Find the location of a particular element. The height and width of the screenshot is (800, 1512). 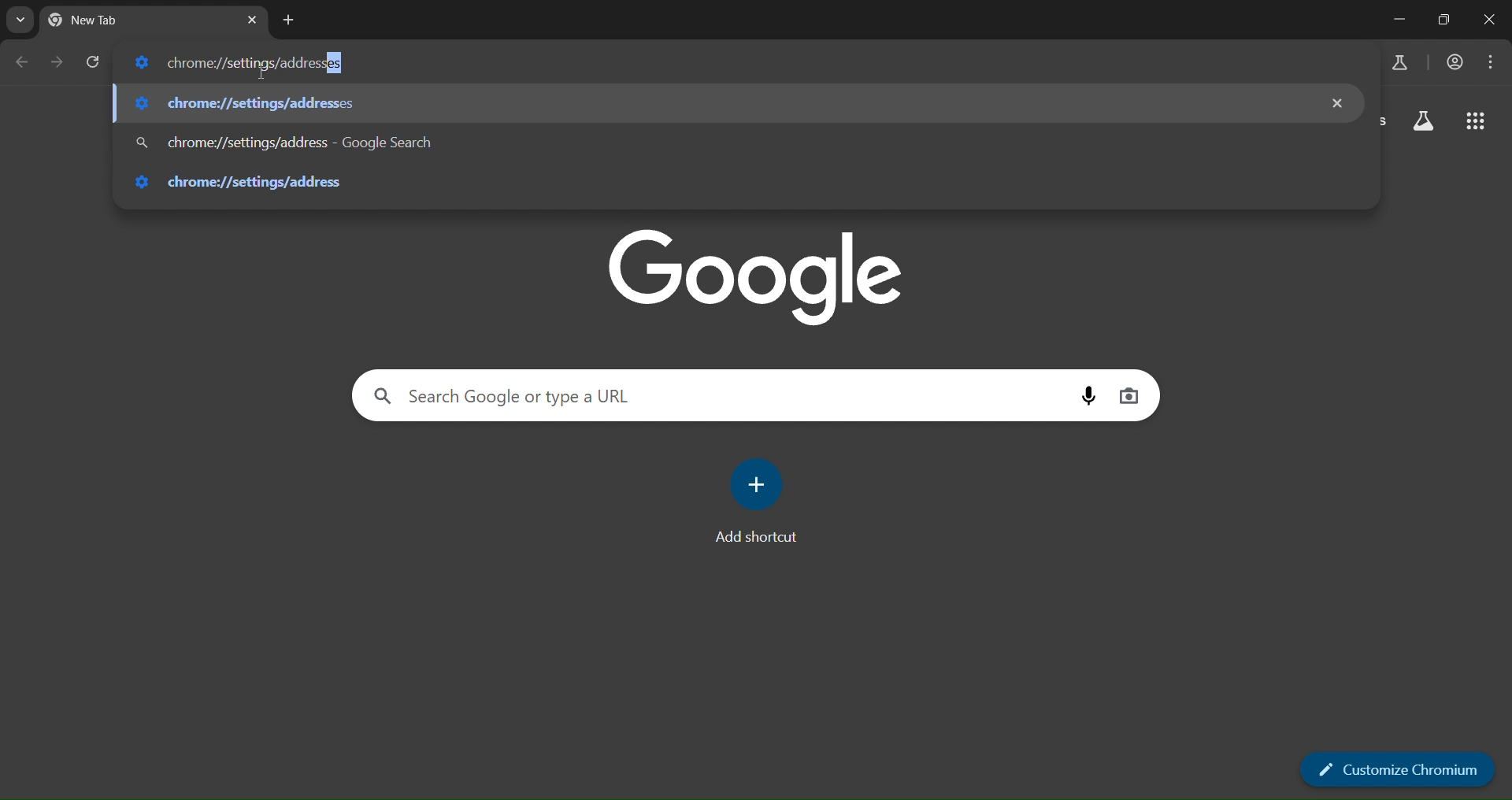

remove is located at coordinates (1341, 102).